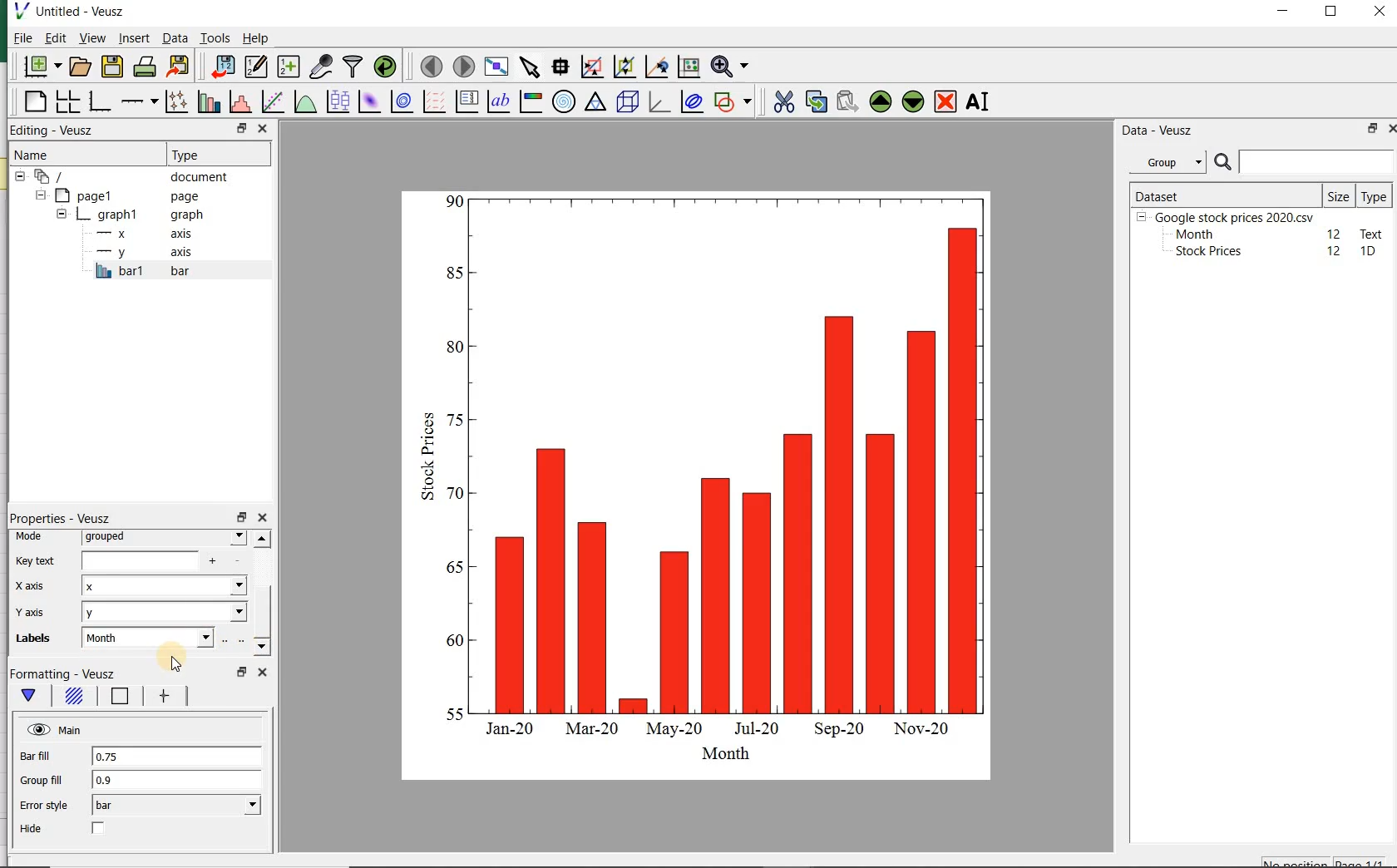  Describe the element at coordinates (1201, 252) in the screenshot. I see `Stock prices` at that location.